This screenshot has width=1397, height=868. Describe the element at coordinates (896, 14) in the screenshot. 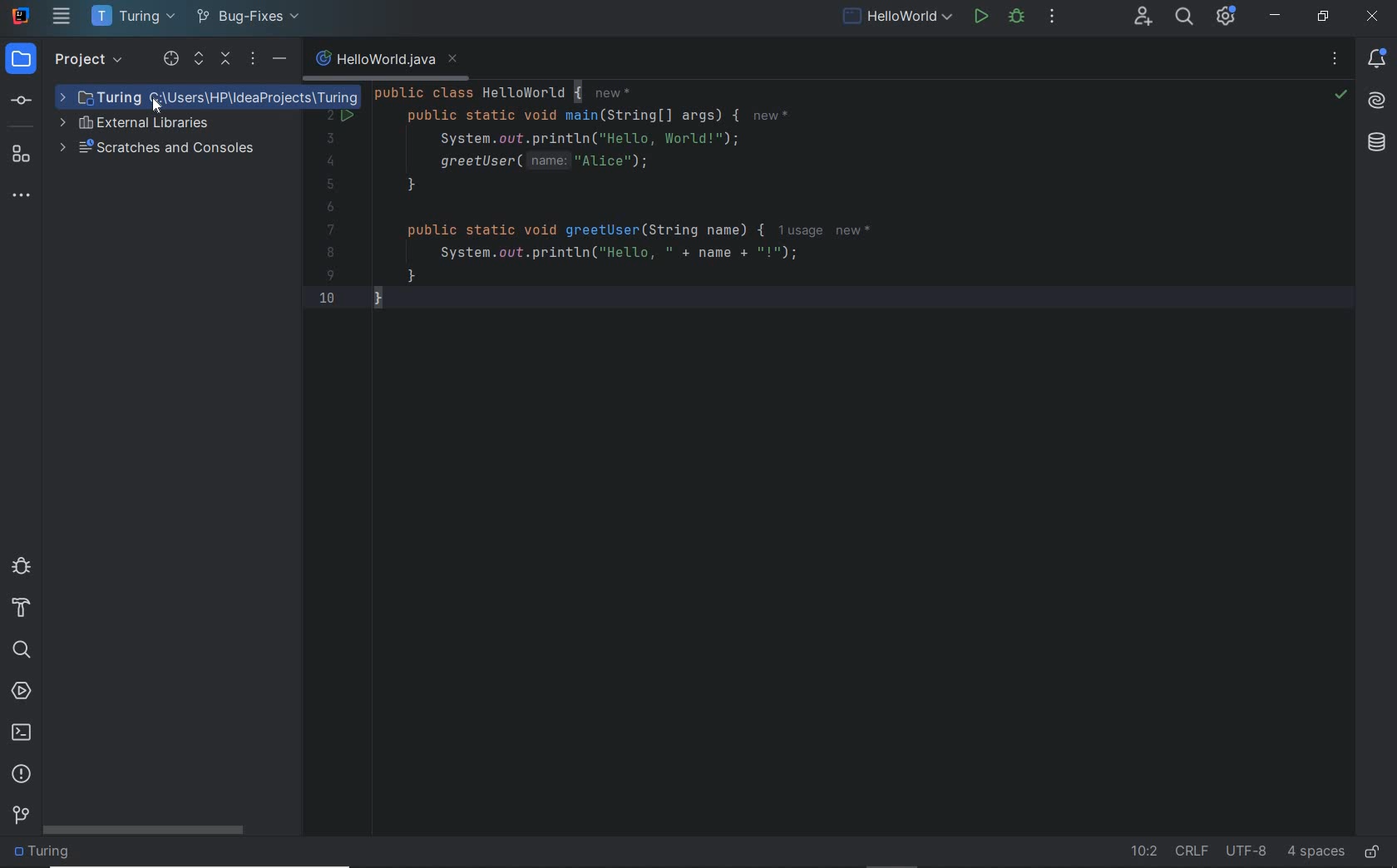

I see `run/debug current file configuration` at that location.